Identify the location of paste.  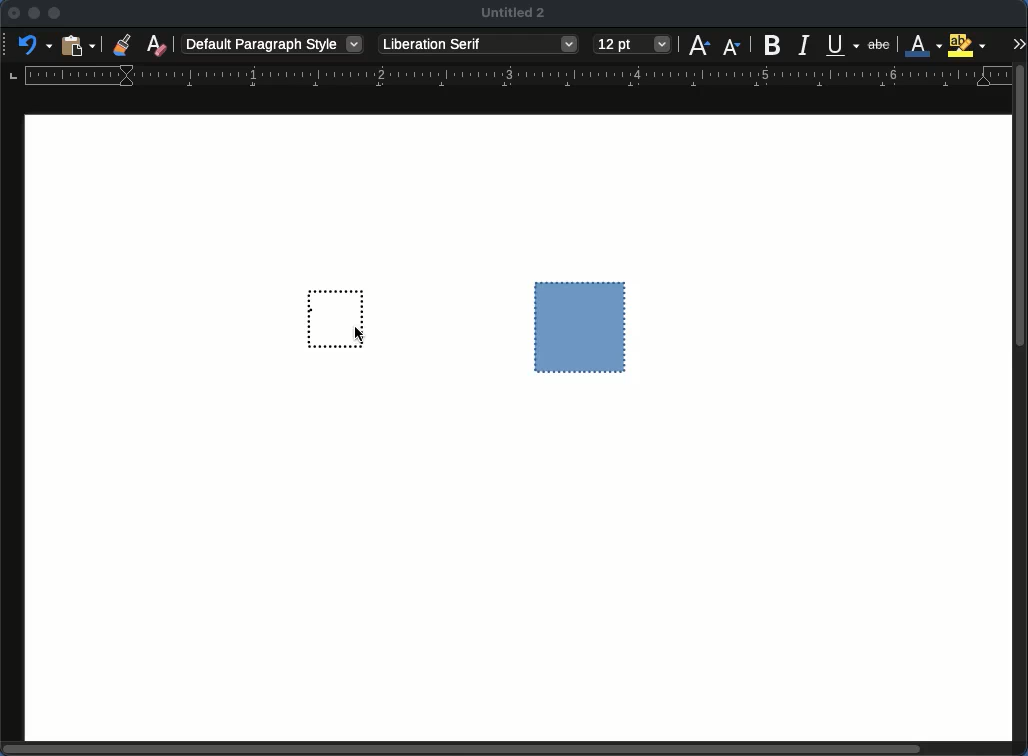
(79, 45).